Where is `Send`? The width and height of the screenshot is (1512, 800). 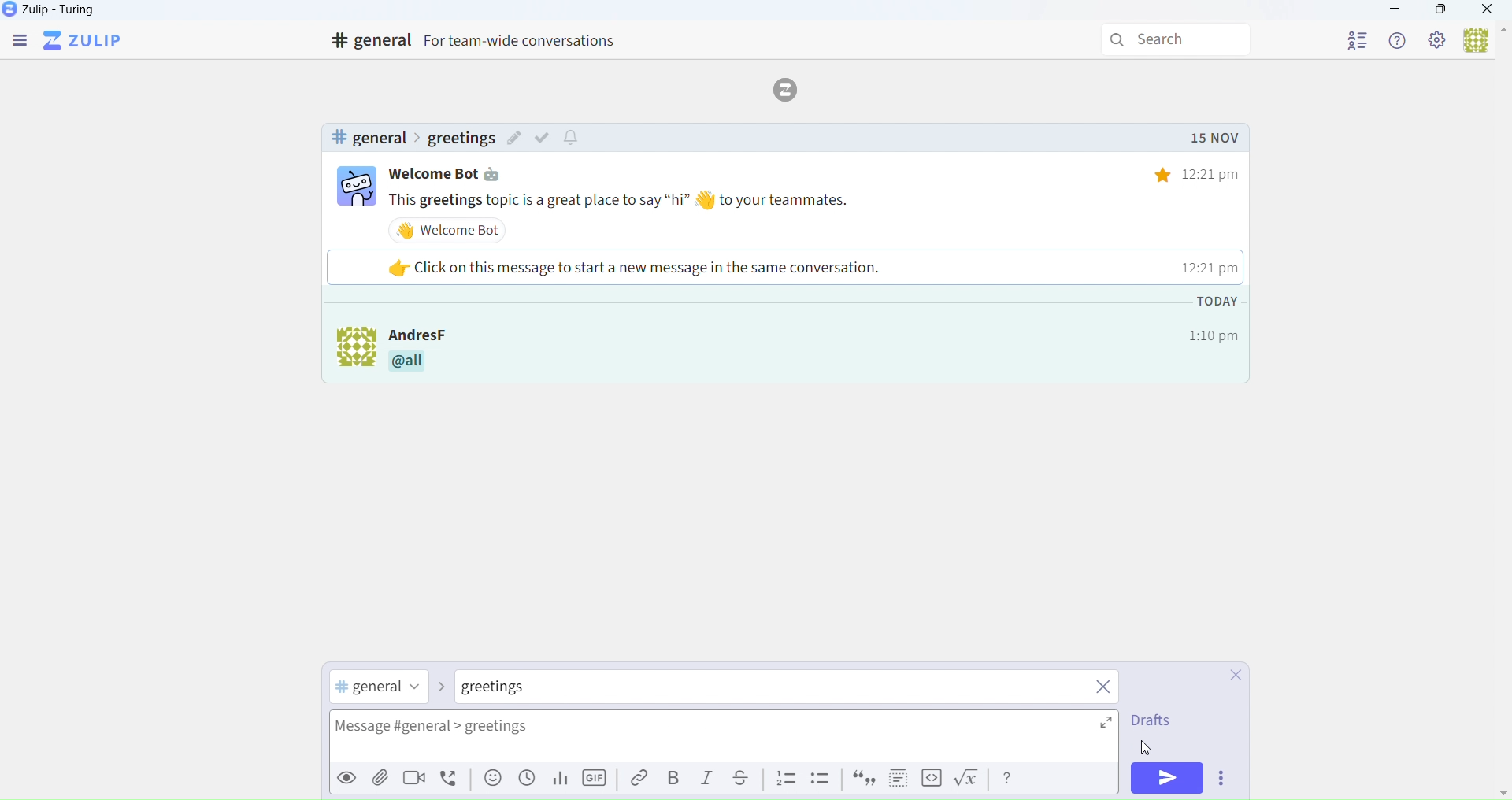 Send is located at coordinates (1169, 778).